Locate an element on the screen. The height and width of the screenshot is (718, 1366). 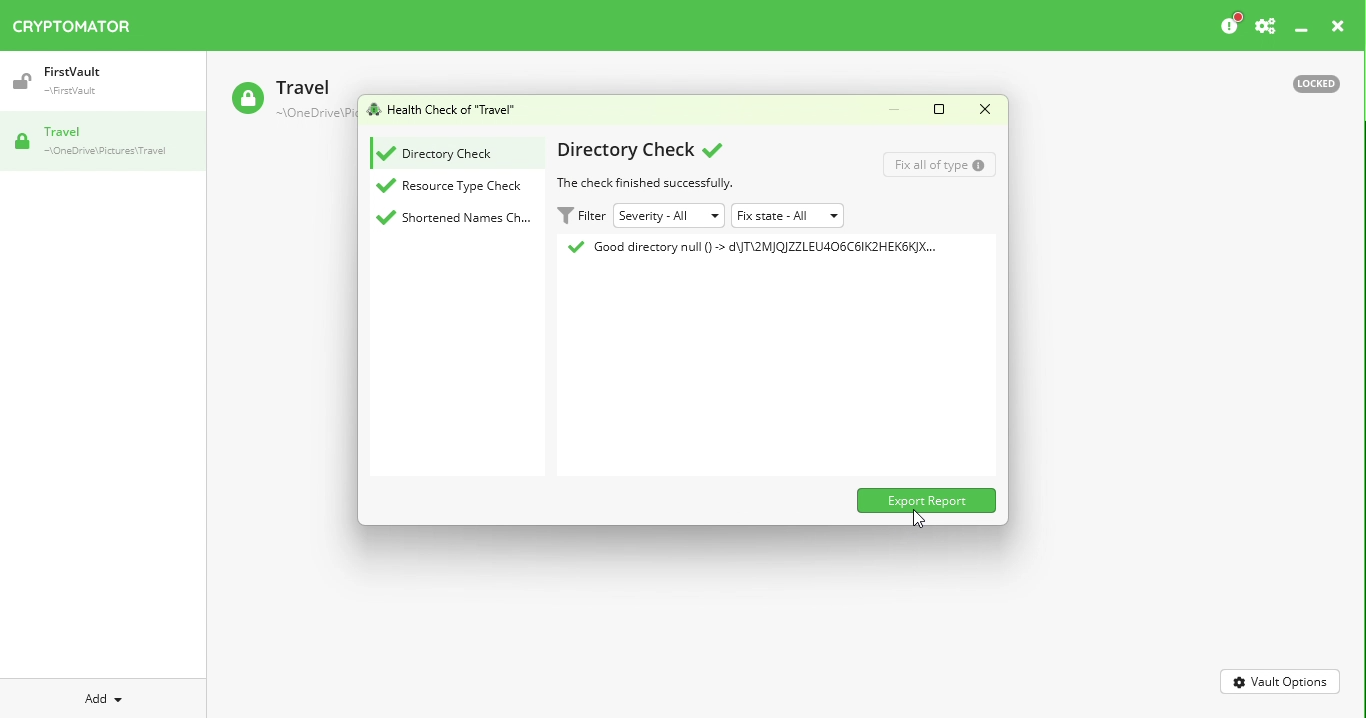
The check finished successfully is located at coordinates (650, 181).